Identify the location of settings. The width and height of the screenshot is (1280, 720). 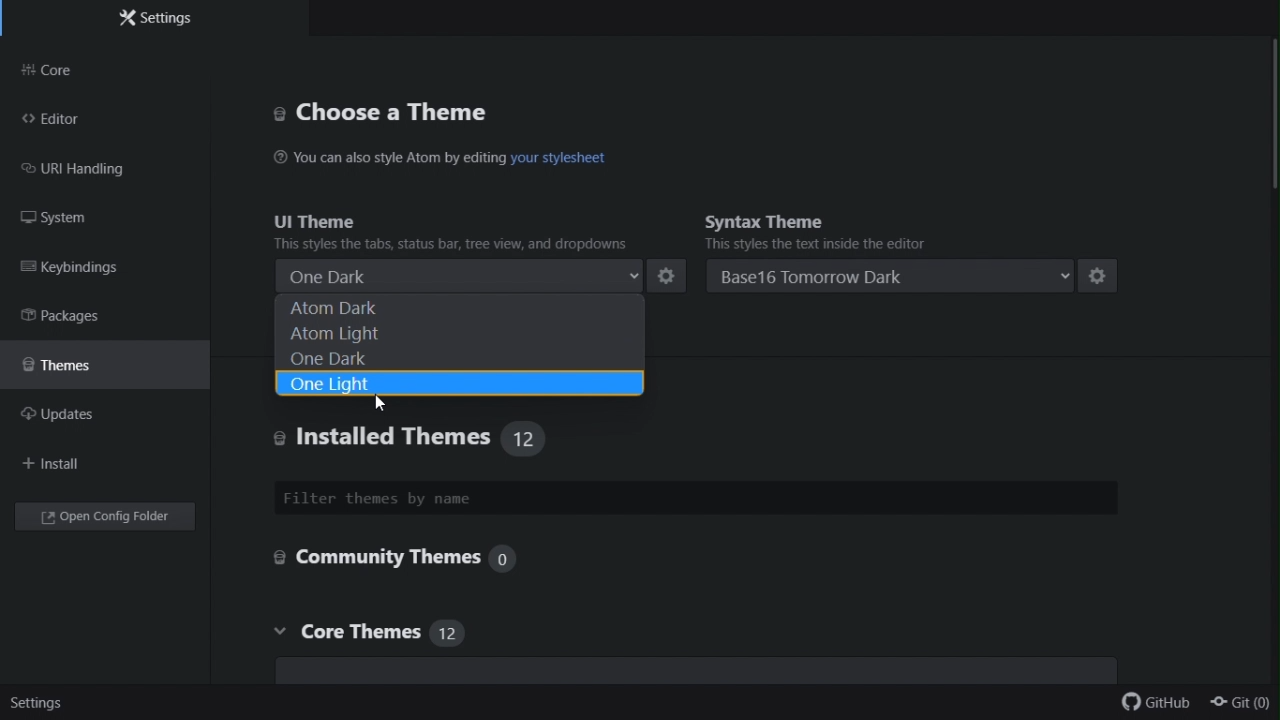
(668, 275).